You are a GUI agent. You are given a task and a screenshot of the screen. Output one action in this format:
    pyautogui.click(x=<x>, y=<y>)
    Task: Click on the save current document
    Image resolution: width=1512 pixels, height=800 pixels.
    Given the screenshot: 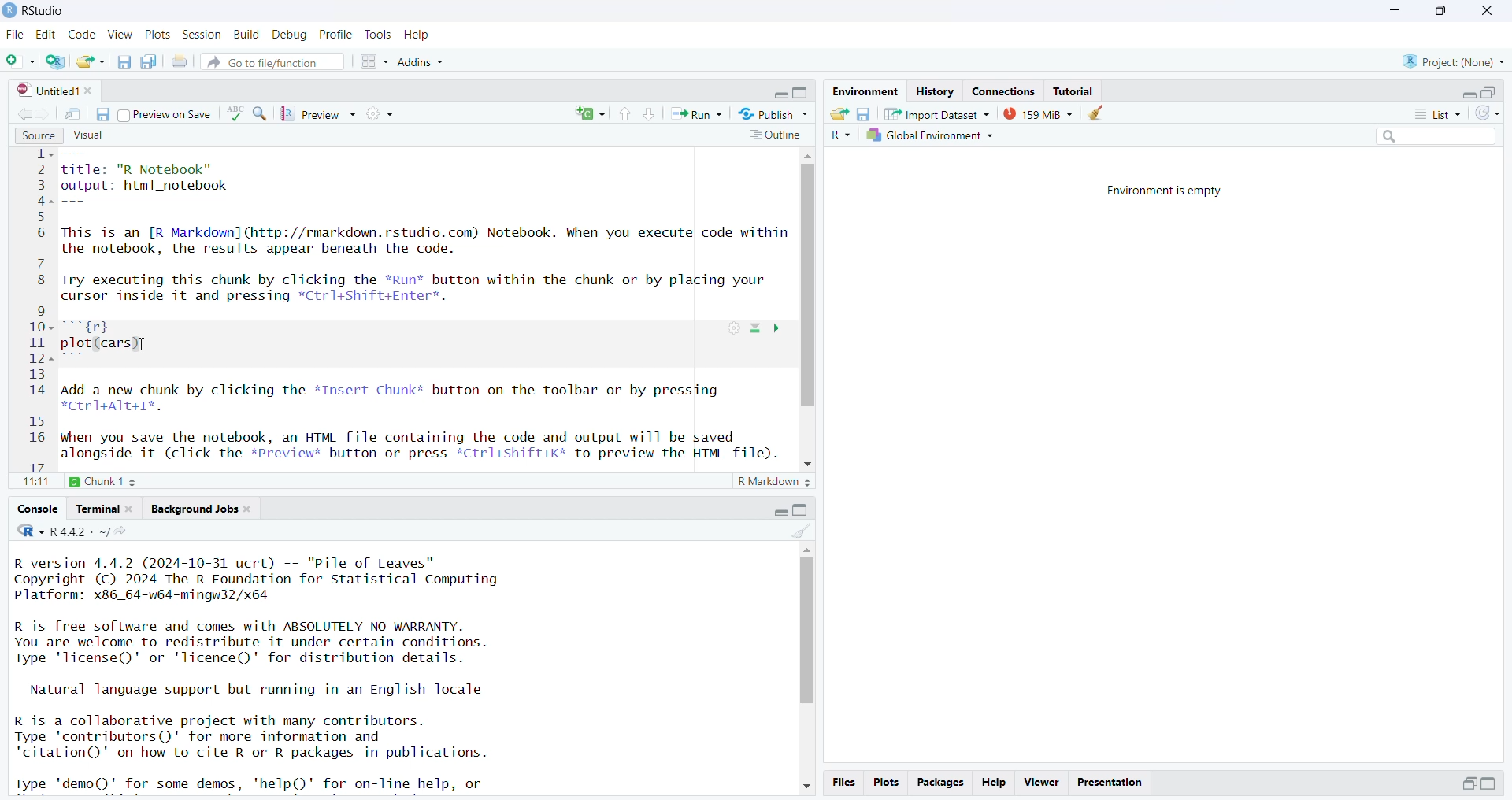 What is the action you would take?
    pyautogui.click(x=103, y=113)
    